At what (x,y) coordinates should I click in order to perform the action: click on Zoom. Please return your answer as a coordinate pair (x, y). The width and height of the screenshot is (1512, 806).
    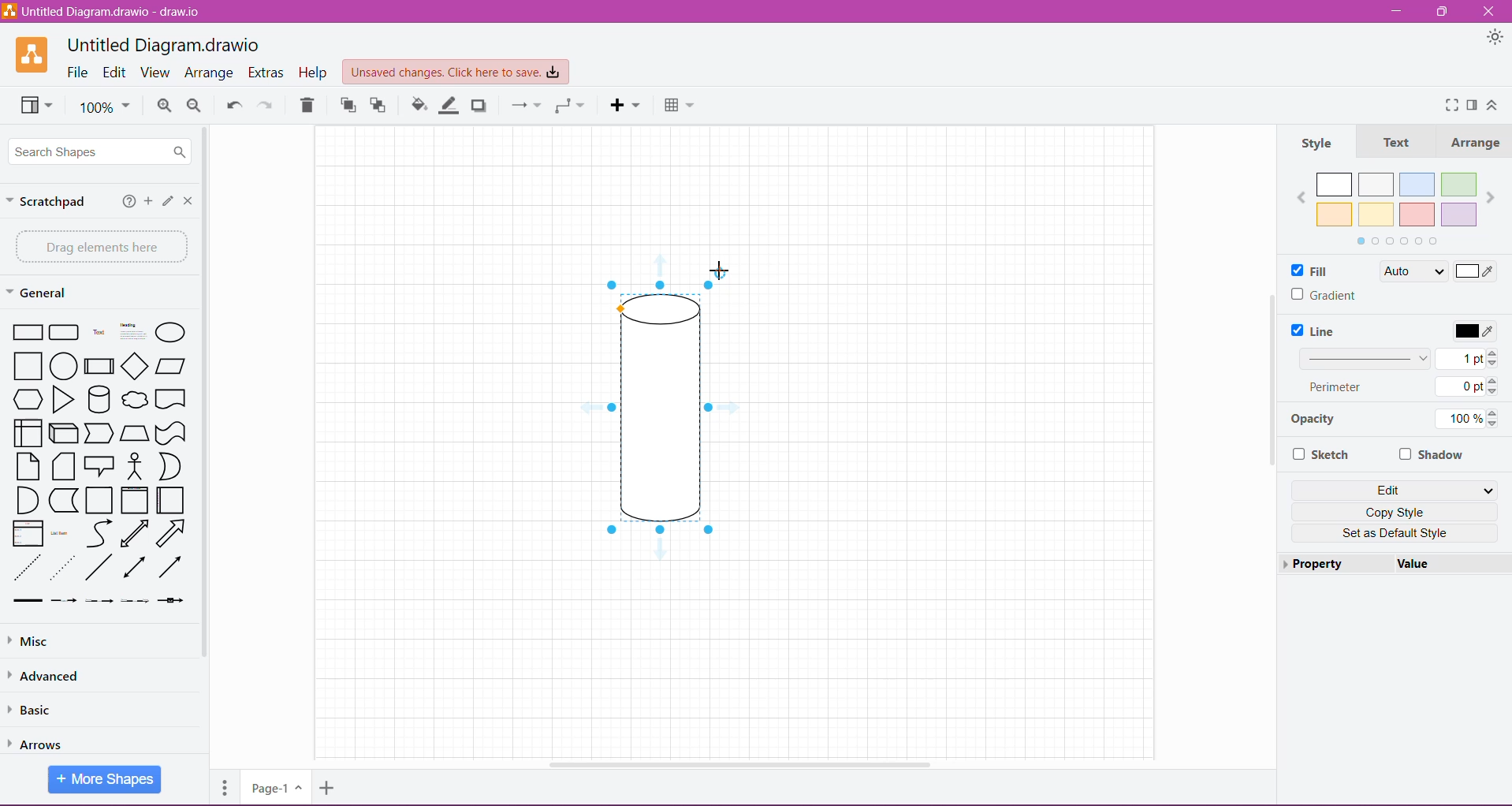
    Looking at the image, I should click on (106, 109).